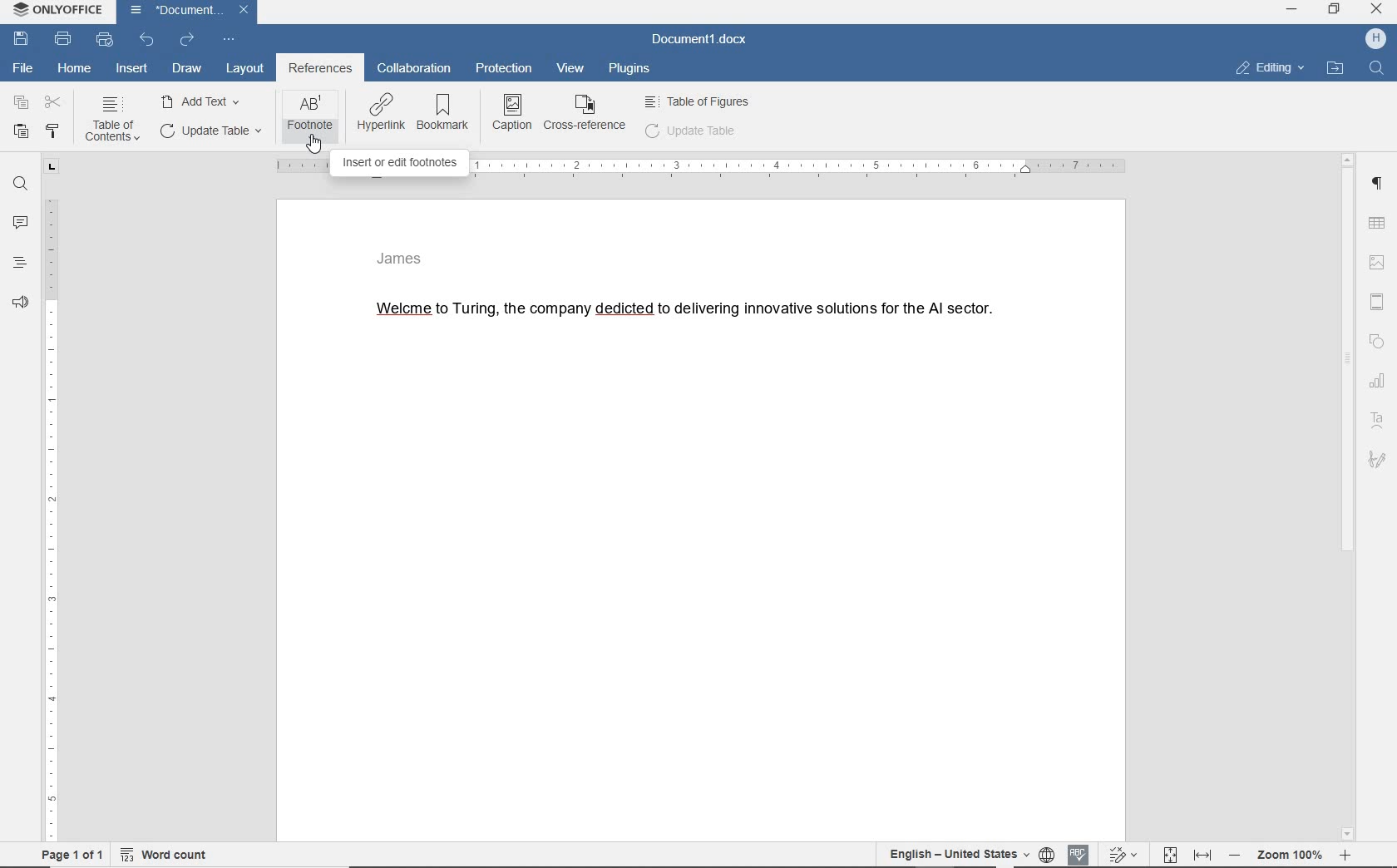 The height and width of the screenshot is (868, 1397). What do you see at coordinates (53, 102) in the screenshot?
I see `cut` at bounding box center [53, 102].